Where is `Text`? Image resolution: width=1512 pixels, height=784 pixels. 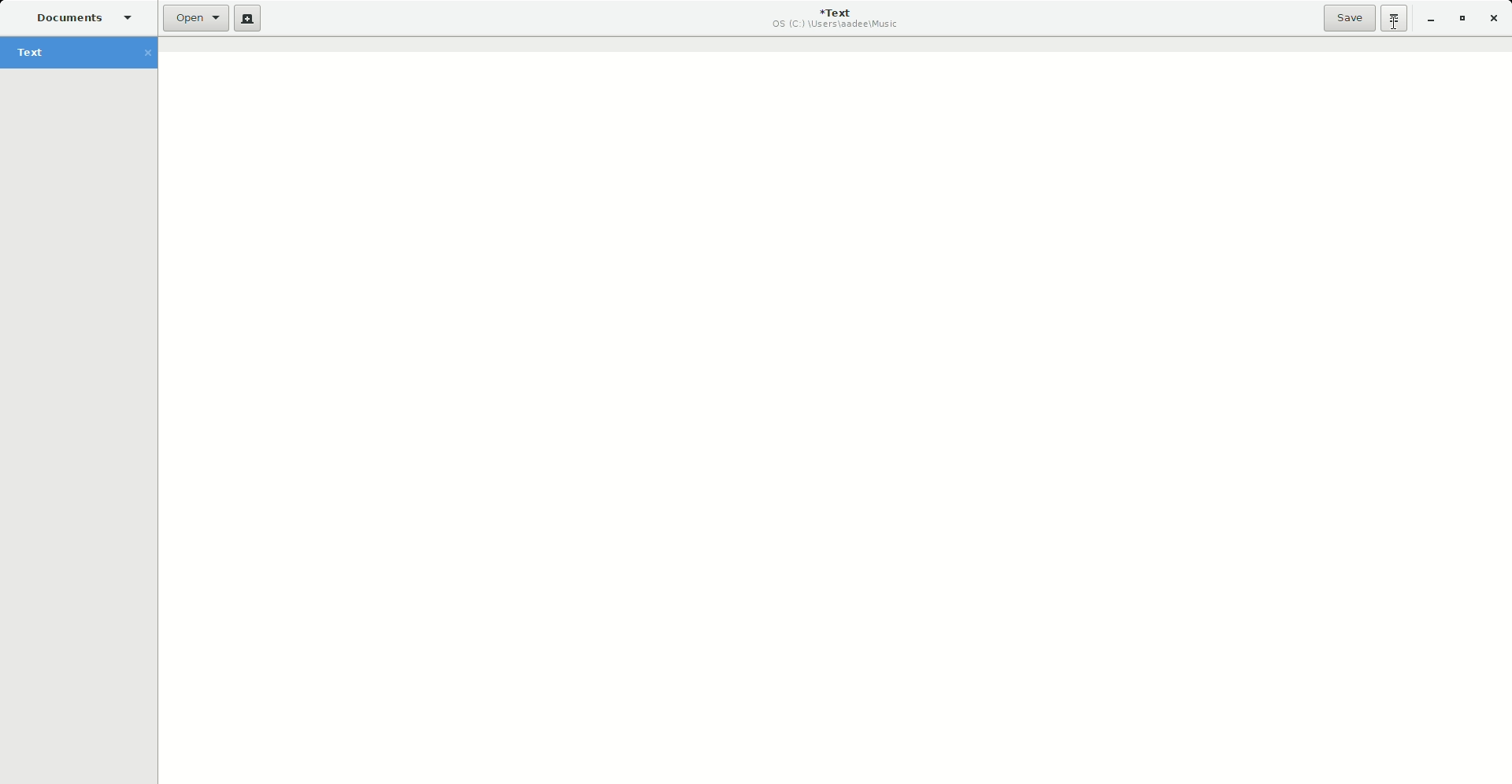 Text is located at coordinates (838, 18).